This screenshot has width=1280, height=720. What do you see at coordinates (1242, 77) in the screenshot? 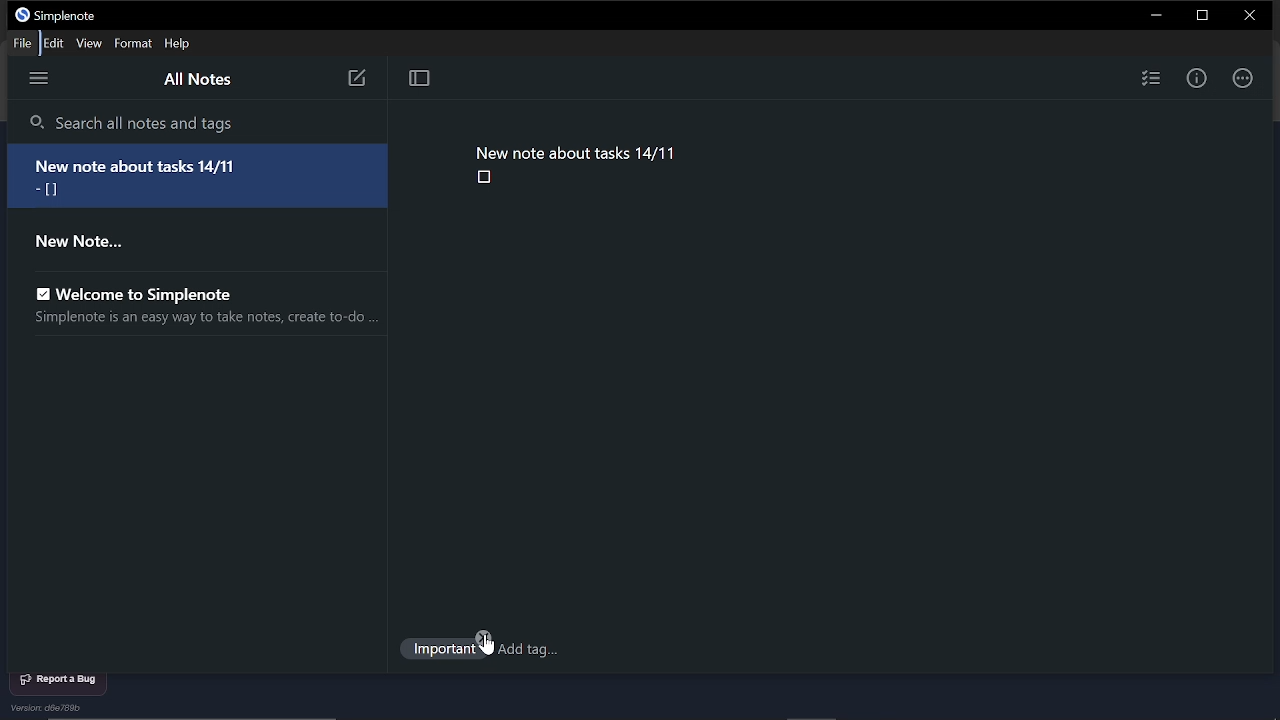
I see `Actions` at bounding box center [1242, 77].